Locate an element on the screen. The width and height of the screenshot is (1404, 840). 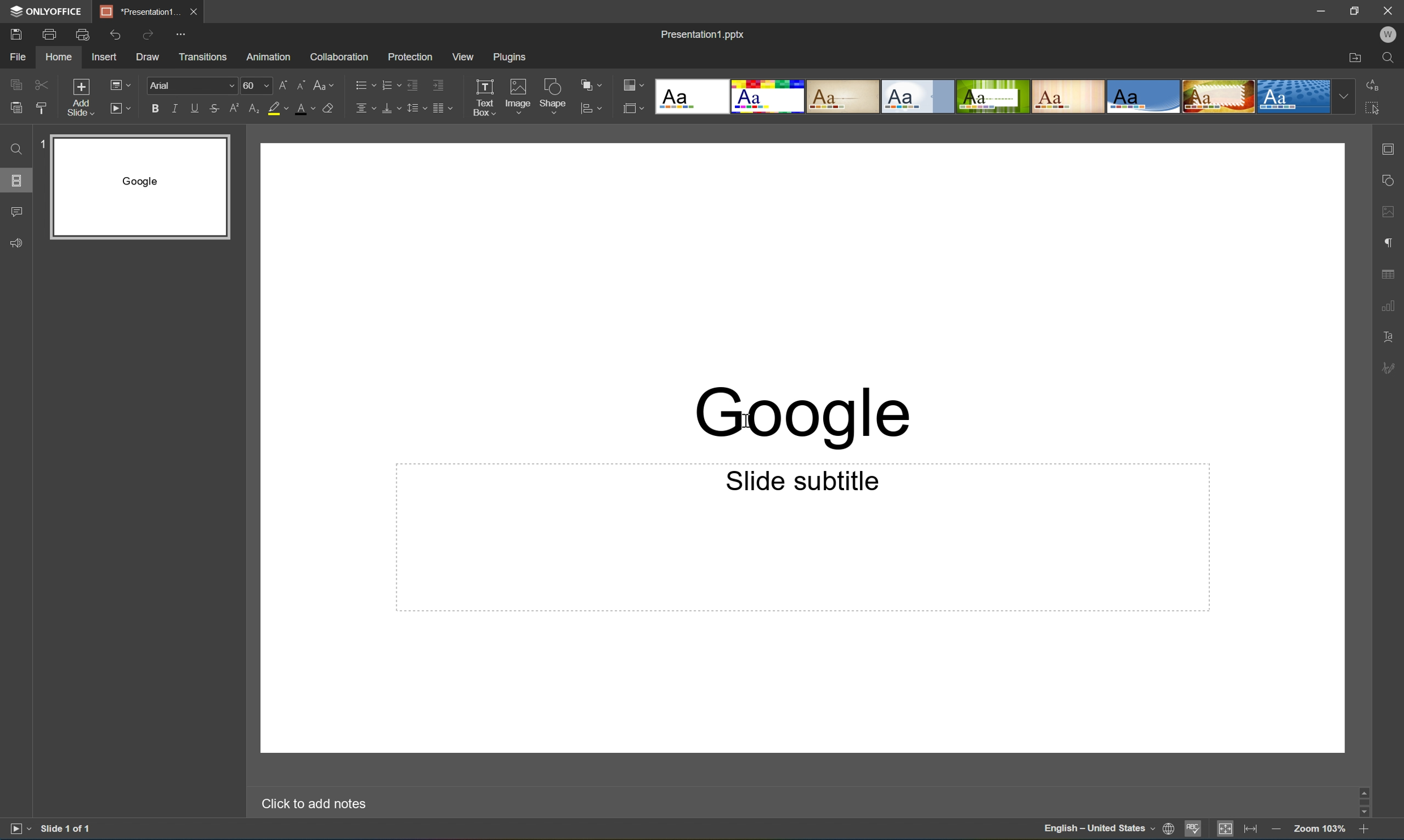
Zoom out is located at coordinates (1279, 830).